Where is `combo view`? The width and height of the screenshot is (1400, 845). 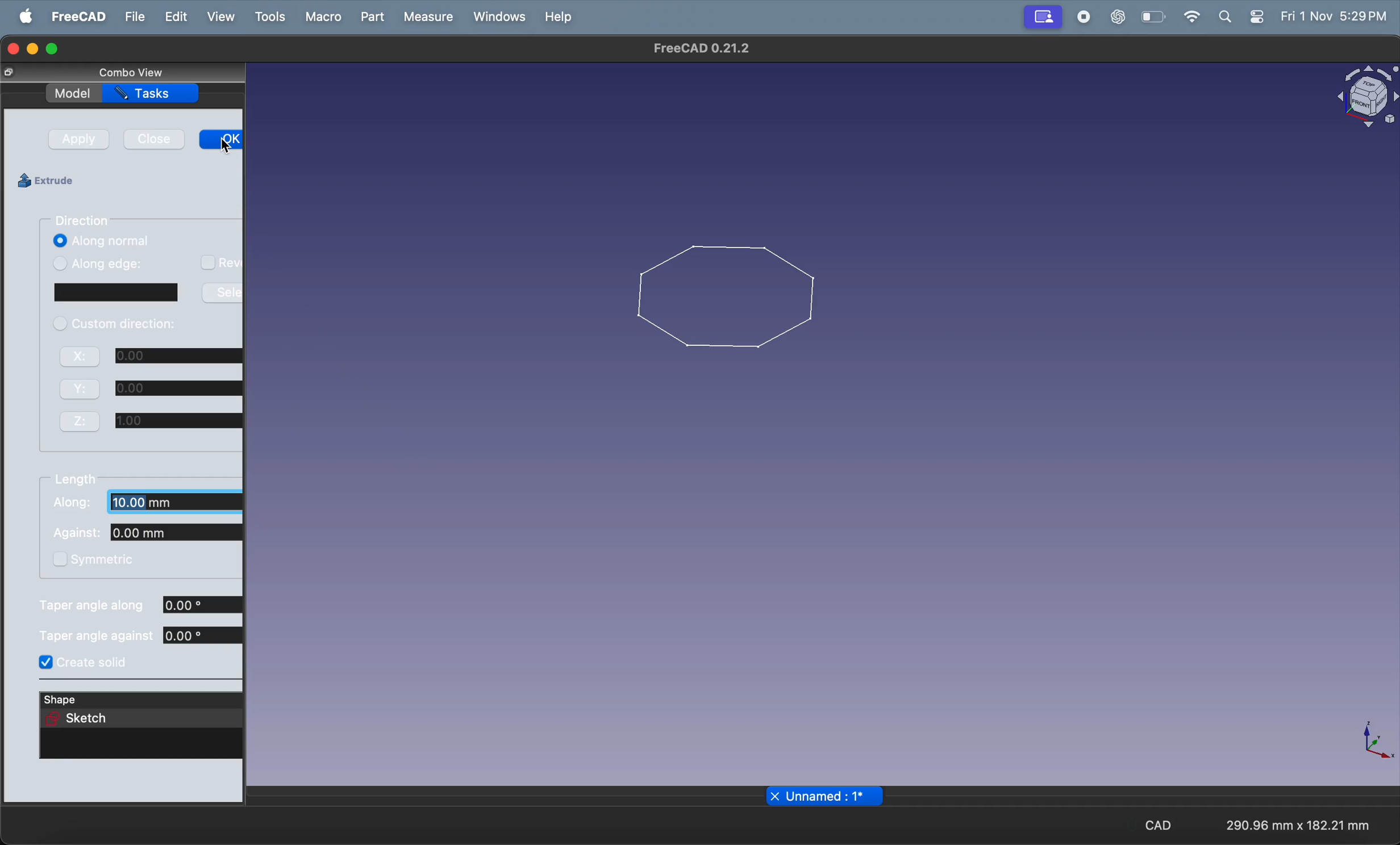 combo view is located at coordinates (137, 72).